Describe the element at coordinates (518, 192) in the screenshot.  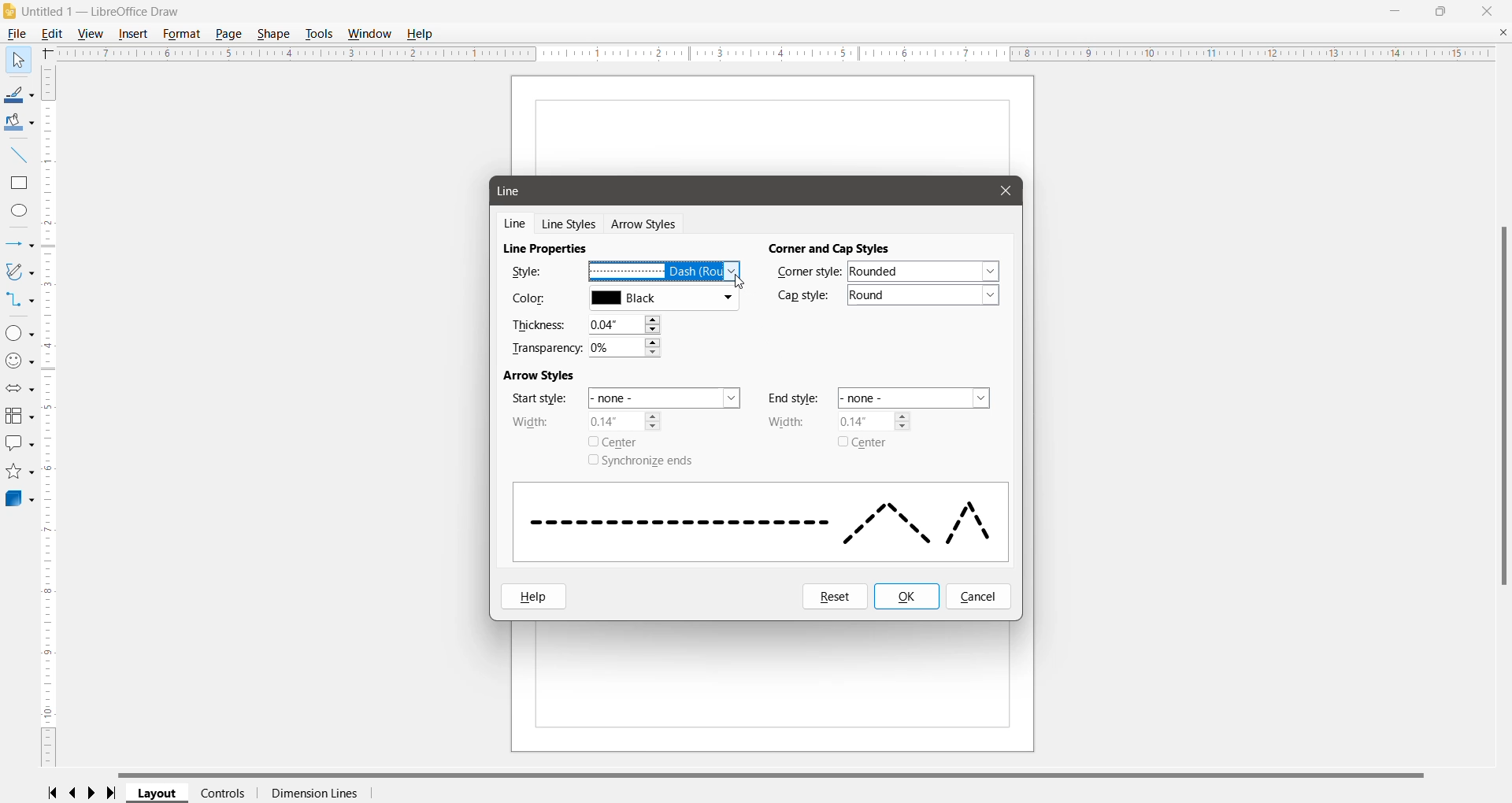
I see `Line` at that location.